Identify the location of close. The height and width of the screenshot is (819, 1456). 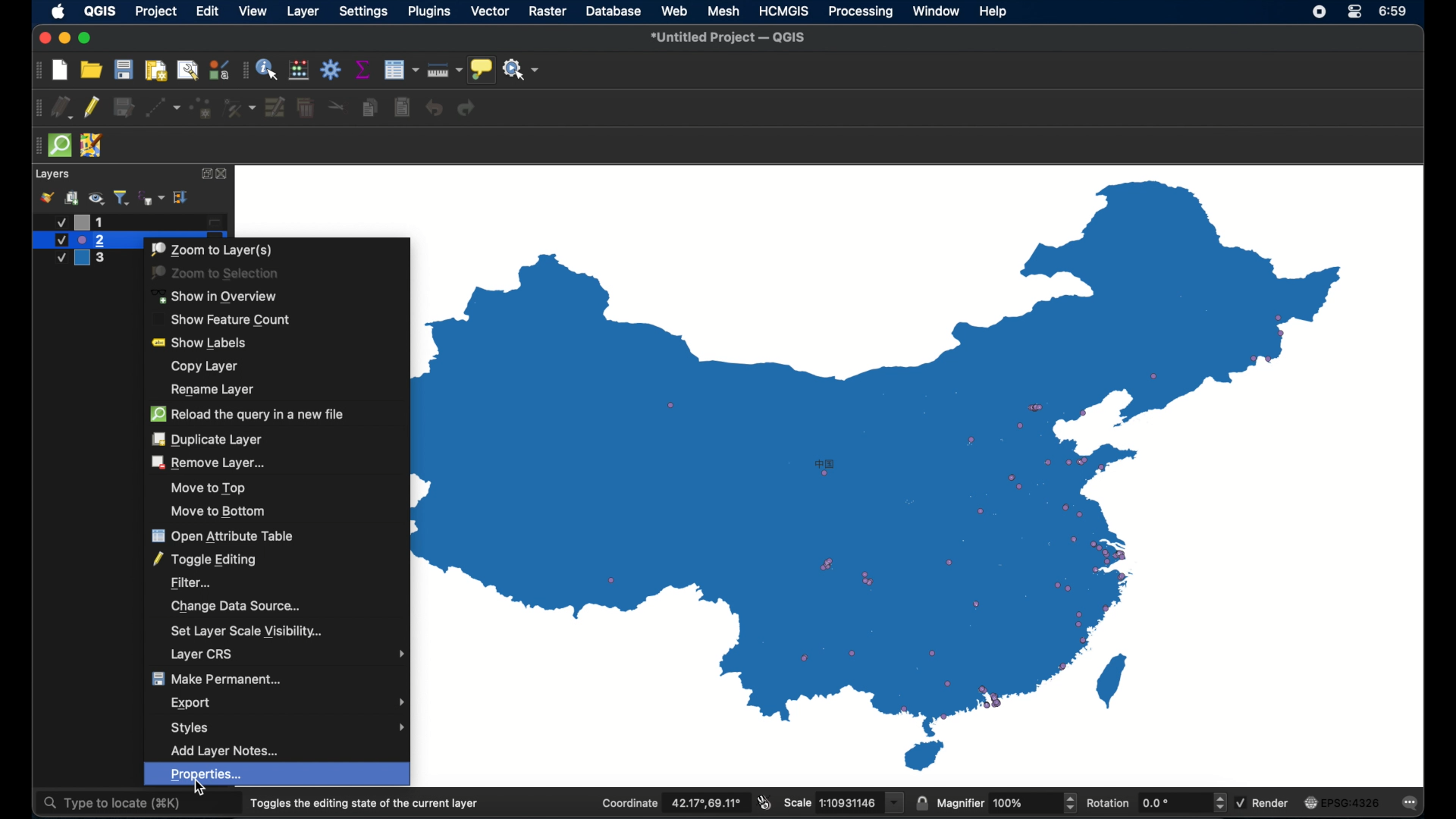
(42, 39).